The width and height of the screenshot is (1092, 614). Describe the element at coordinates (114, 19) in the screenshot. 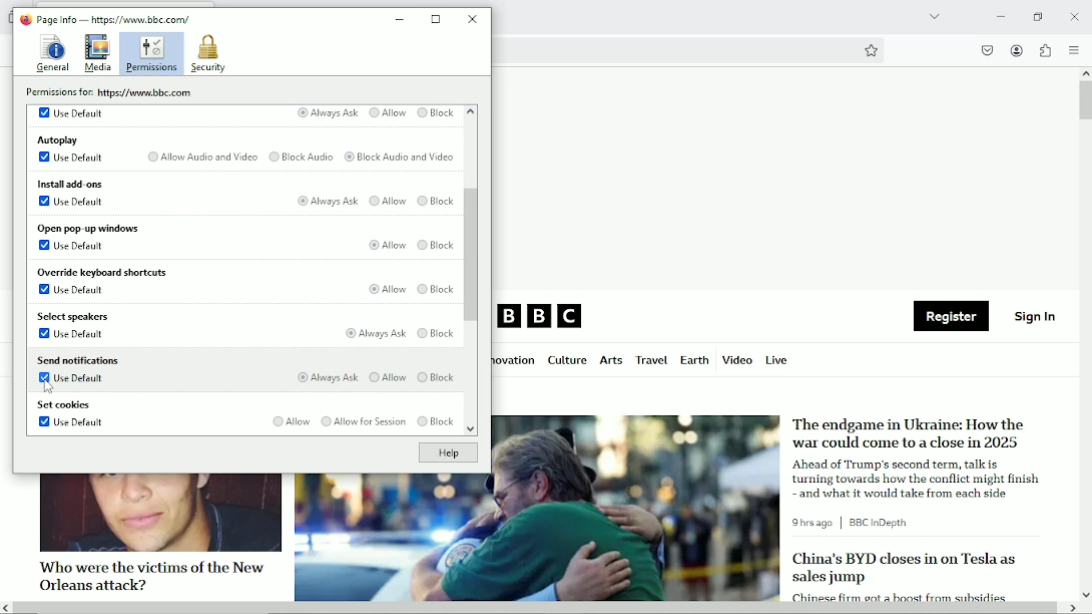

I see `Page Info — https://www.bbe.com/` at that location.